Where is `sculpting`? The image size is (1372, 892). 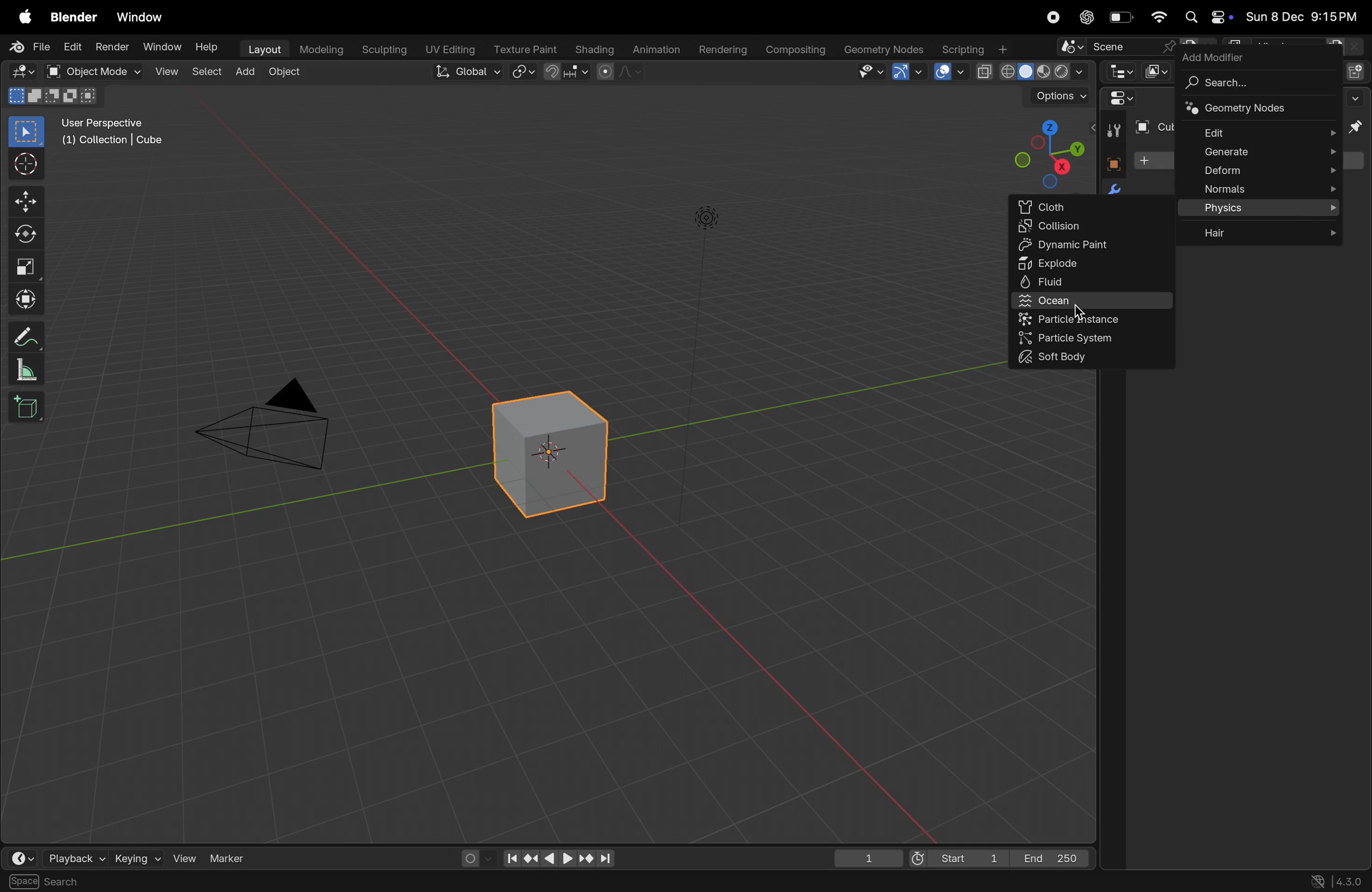
sculpting is located at coordinates (385, 48).